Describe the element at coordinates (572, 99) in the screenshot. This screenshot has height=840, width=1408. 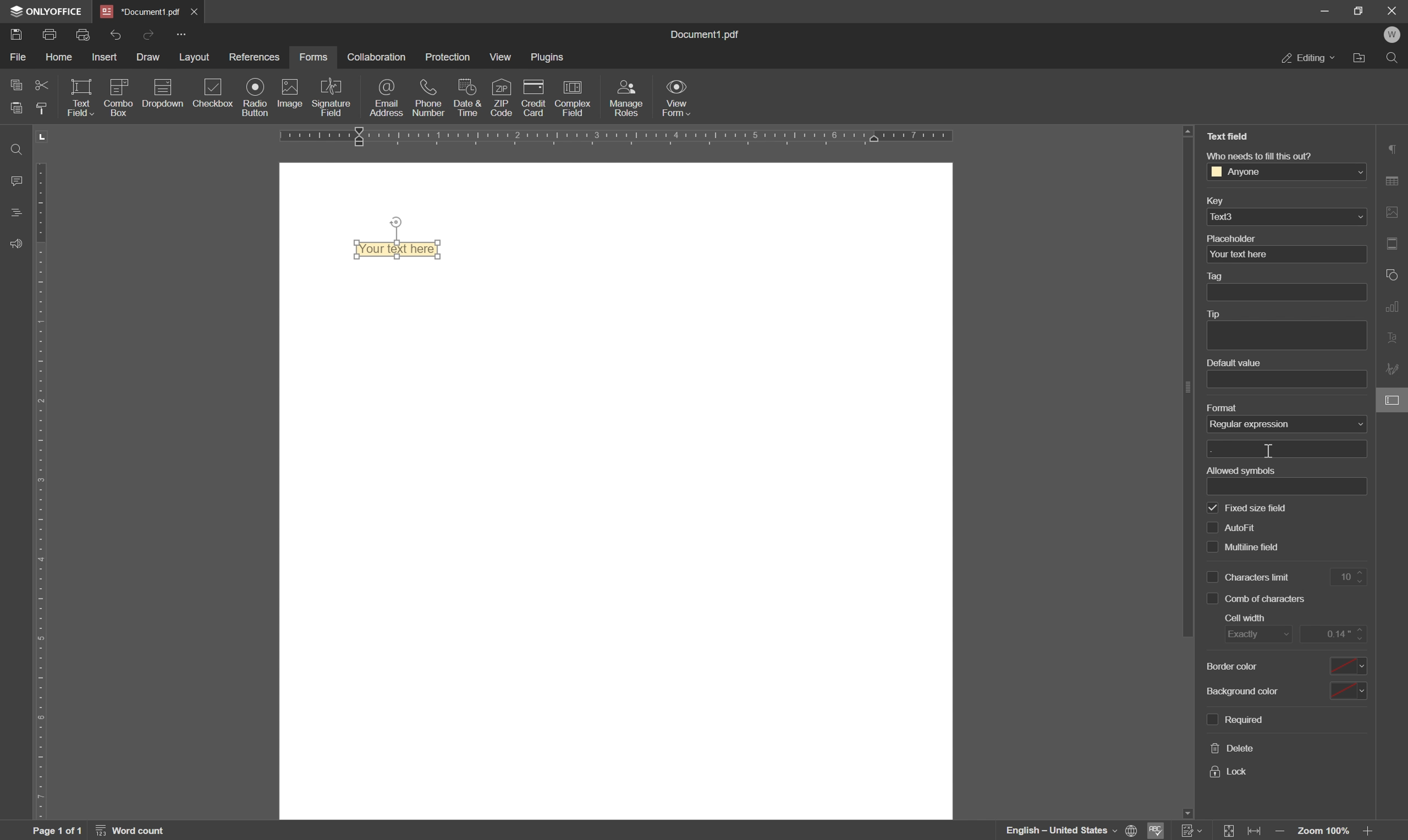
I see `complex field` at that location.